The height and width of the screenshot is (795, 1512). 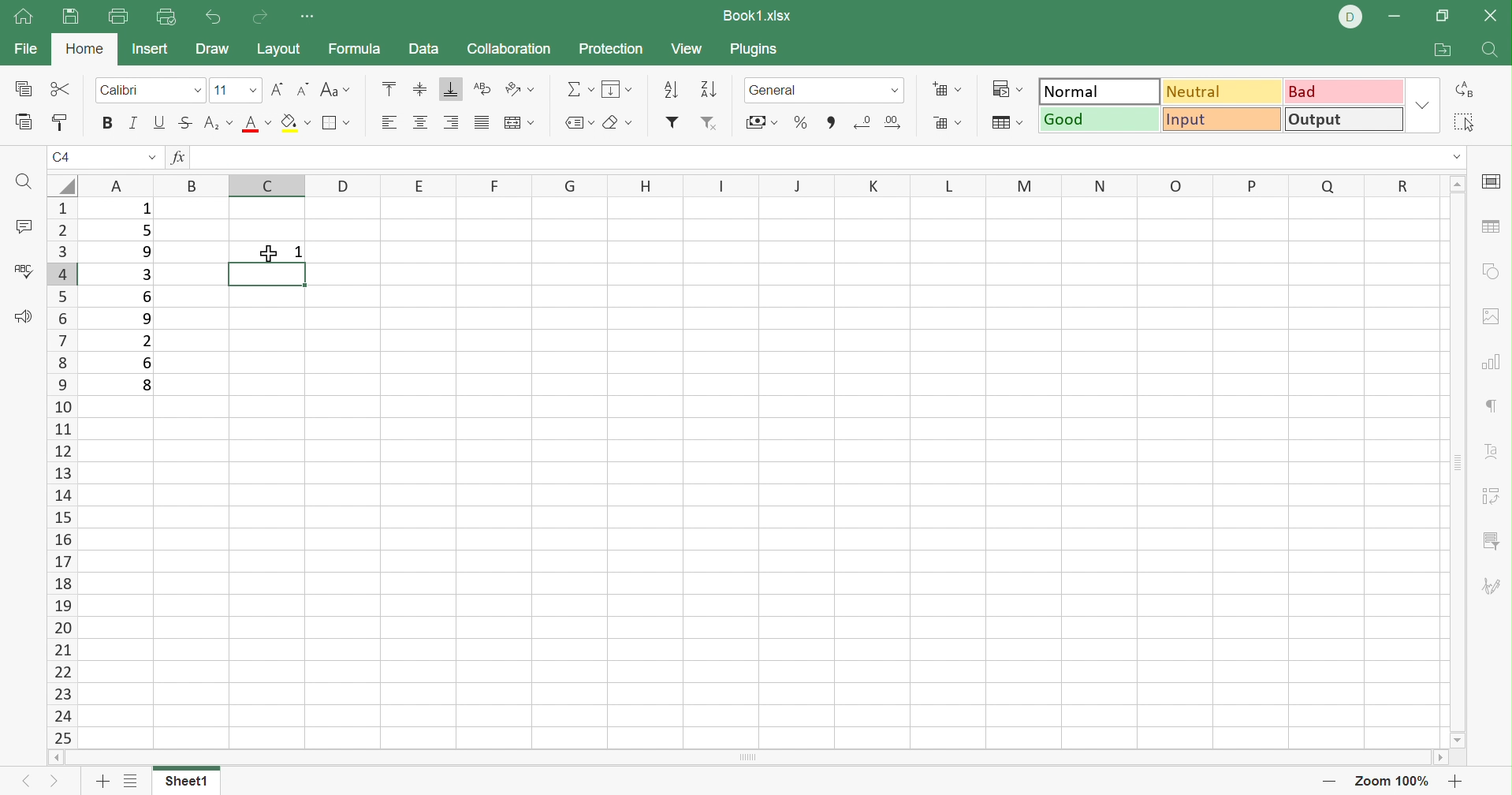 I want to click on Next, so click(x=50, y=784).